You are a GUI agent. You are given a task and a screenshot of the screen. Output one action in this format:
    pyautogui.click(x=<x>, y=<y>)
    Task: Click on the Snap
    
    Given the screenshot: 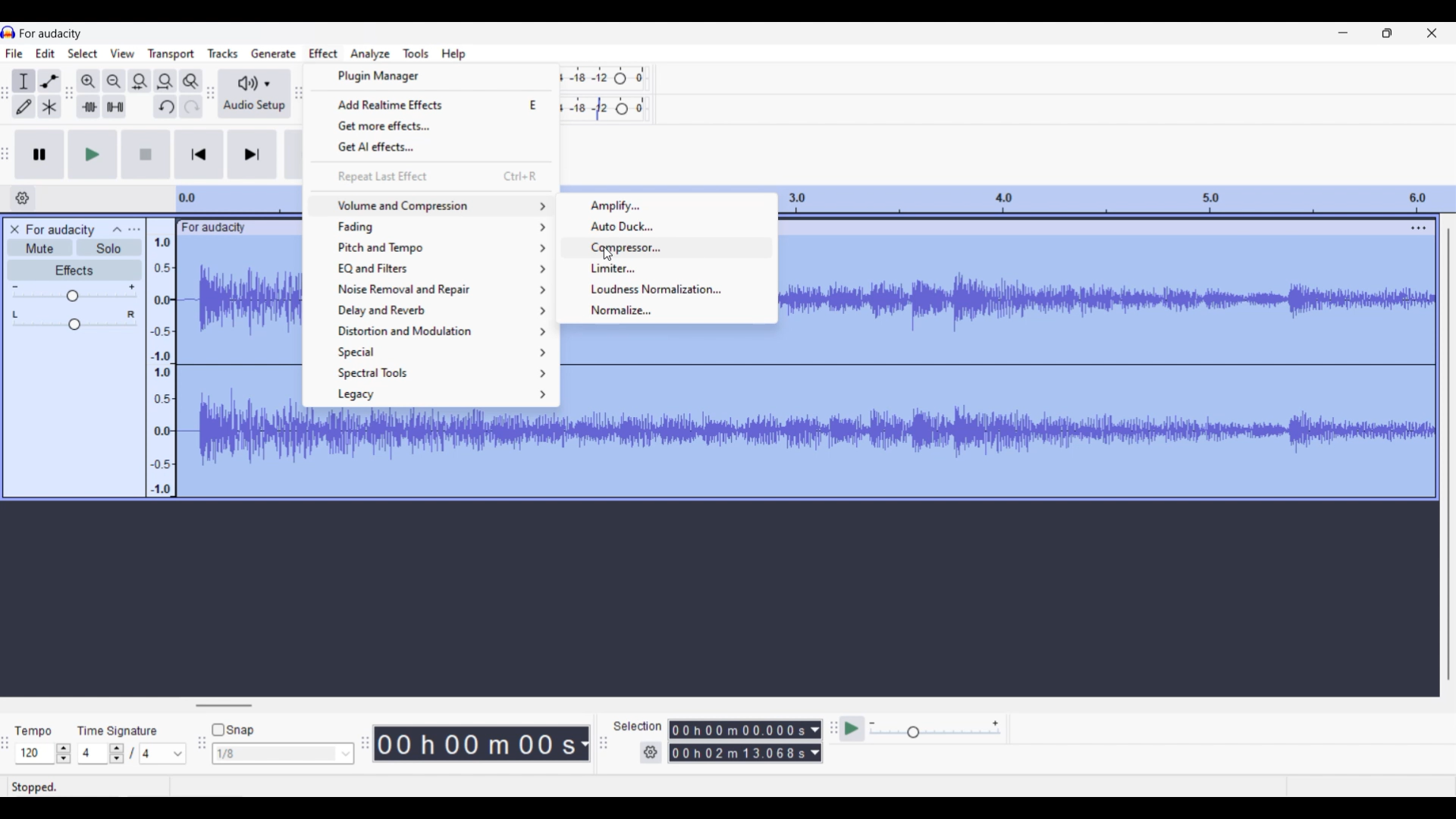 What is the action you would take?
    pyautogui.click(x=233, y=730)
    